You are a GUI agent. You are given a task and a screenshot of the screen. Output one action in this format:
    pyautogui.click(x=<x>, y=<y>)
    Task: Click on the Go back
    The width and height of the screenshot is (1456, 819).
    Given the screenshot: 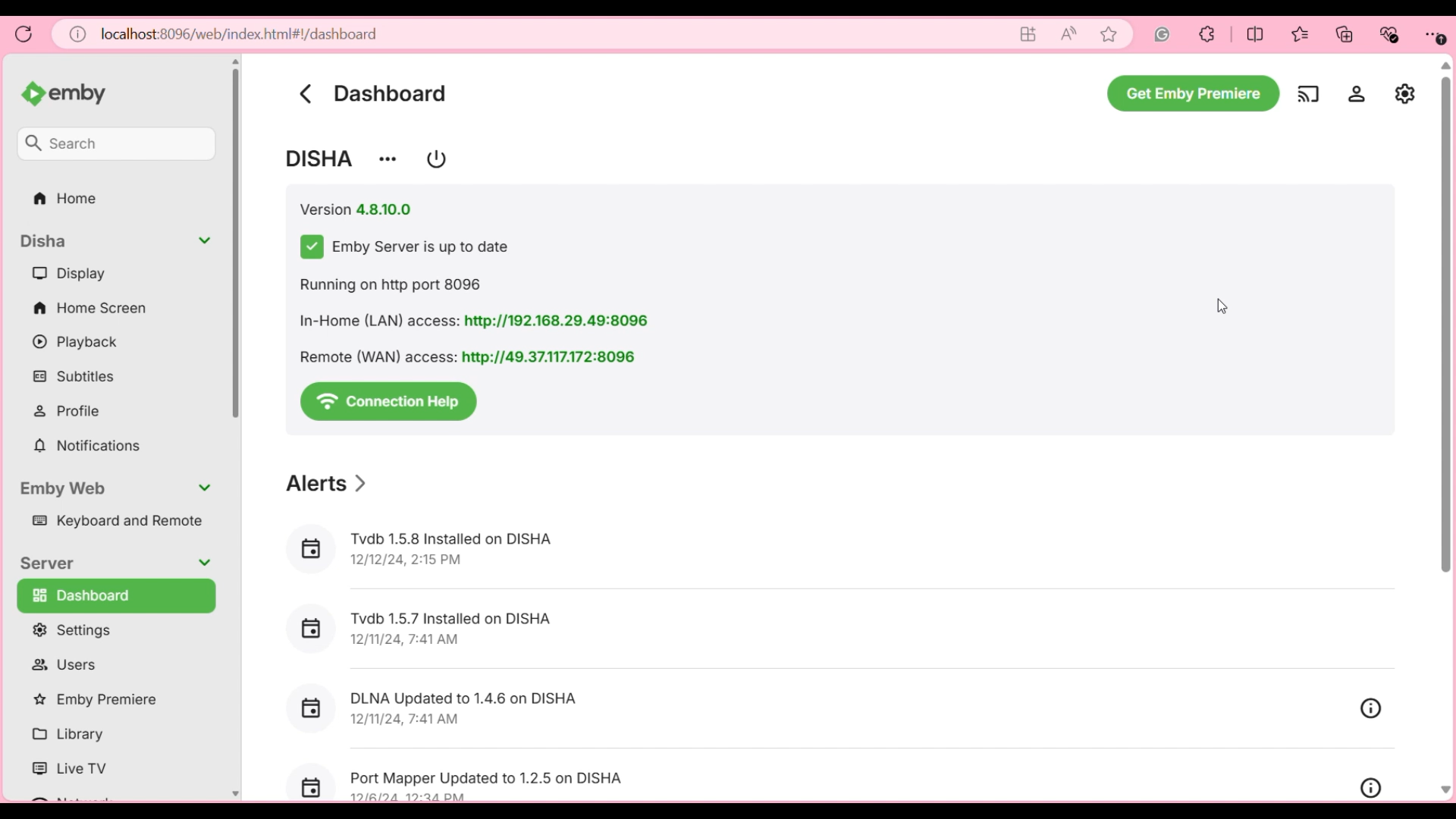 What is the action you would take?
    pyautogui.click(x=305, y=93)
    